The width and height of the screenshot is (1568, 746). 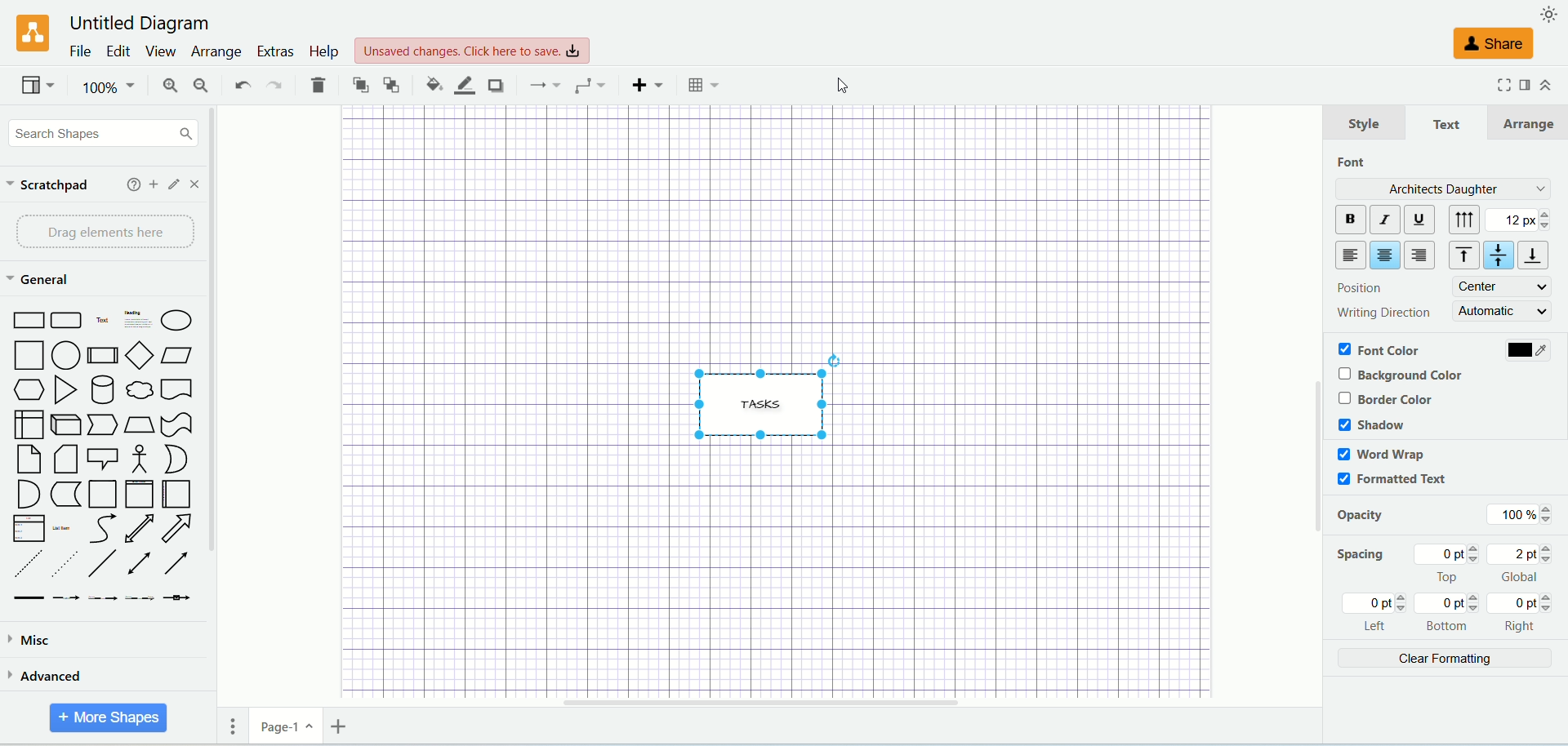 I want to click on Text, so click(x=103, y=318).